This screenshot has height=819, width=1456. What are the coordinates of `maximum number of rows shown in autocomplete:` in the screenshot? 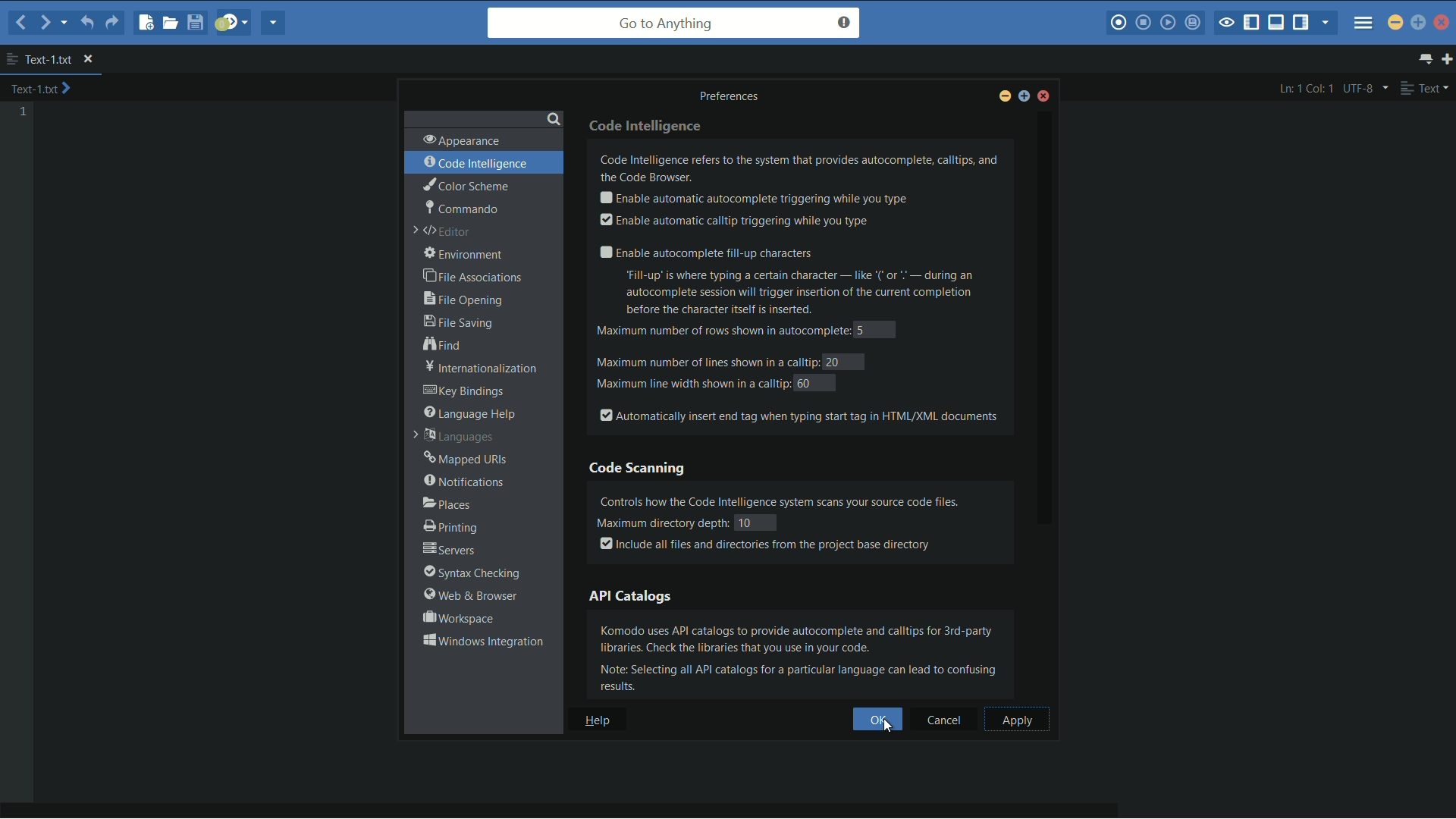 It's located at (720, 332).